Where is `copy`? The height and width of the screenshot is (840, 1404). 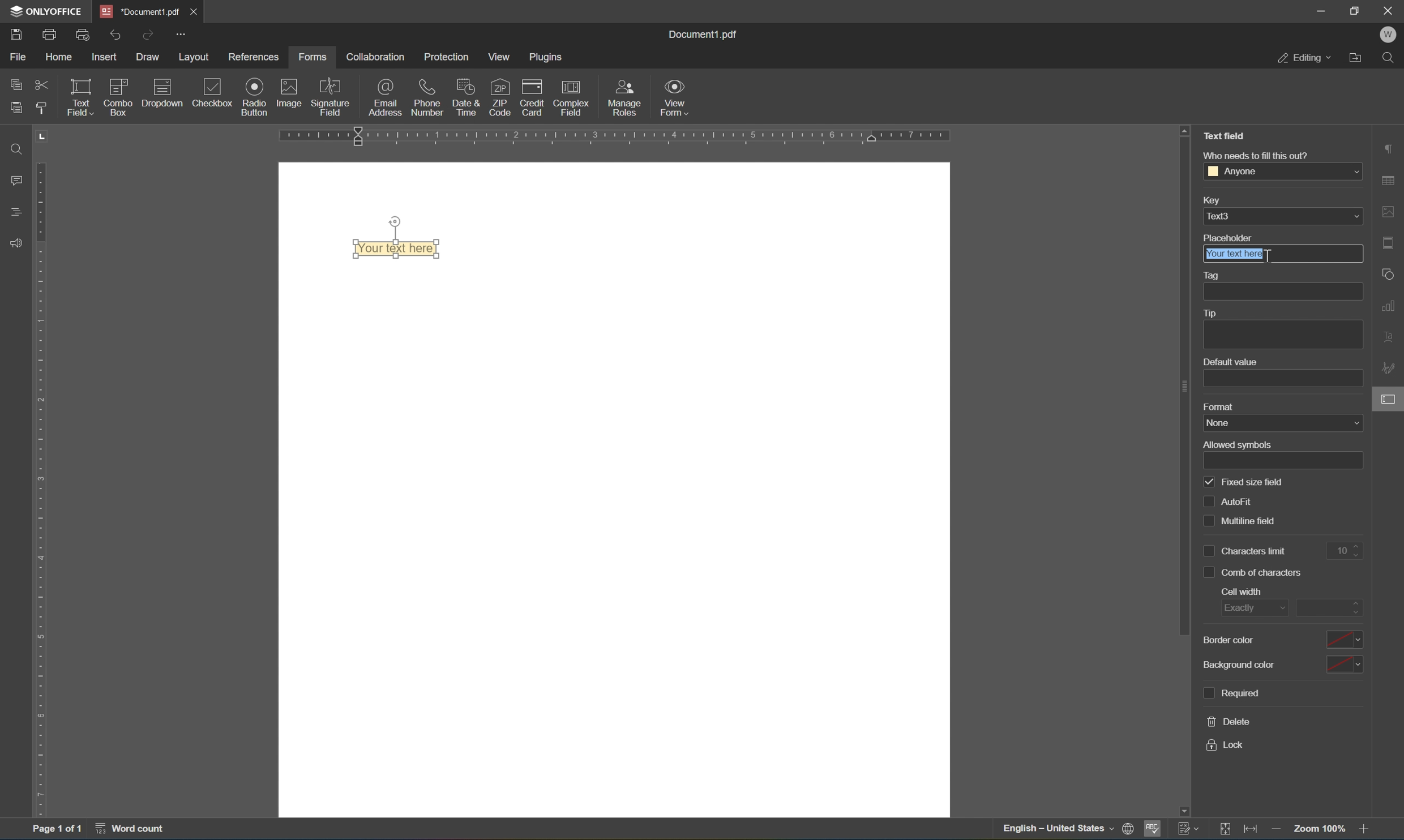
copy is located at coordinates (17, 83).